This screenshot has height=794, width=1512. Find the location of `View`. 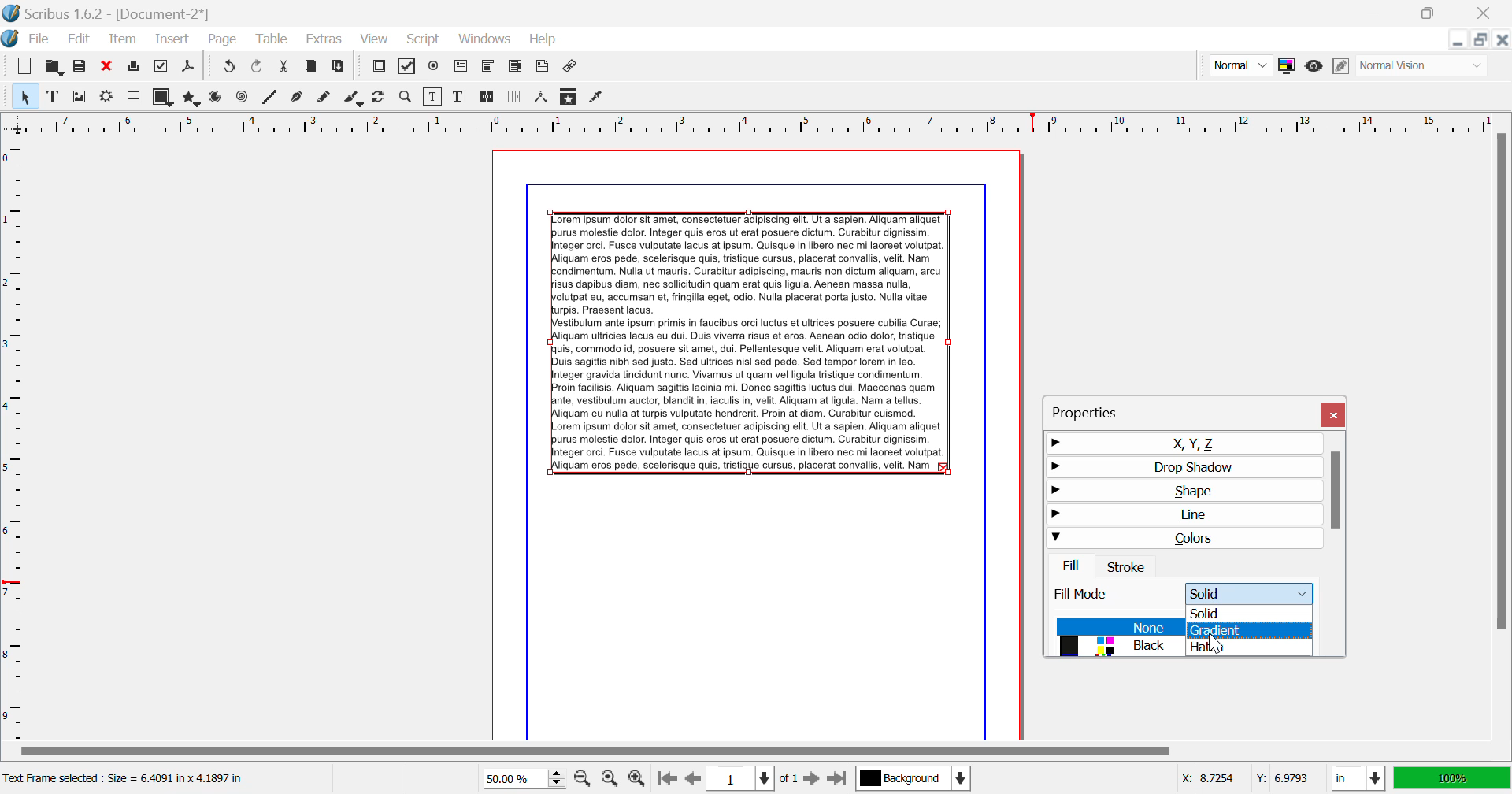

View is located at coordinates (373, 39).